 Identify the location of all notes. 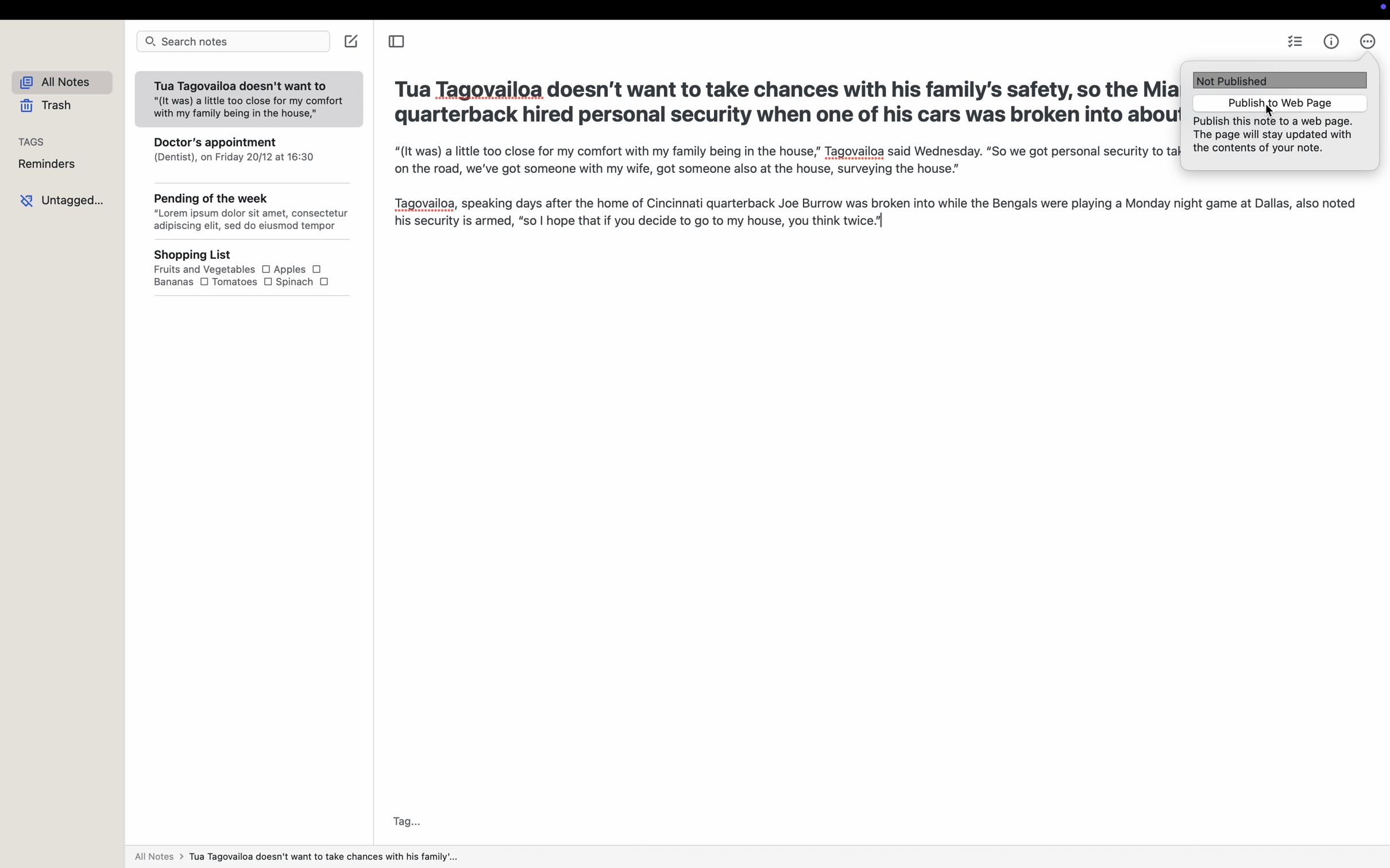
(295, 859).